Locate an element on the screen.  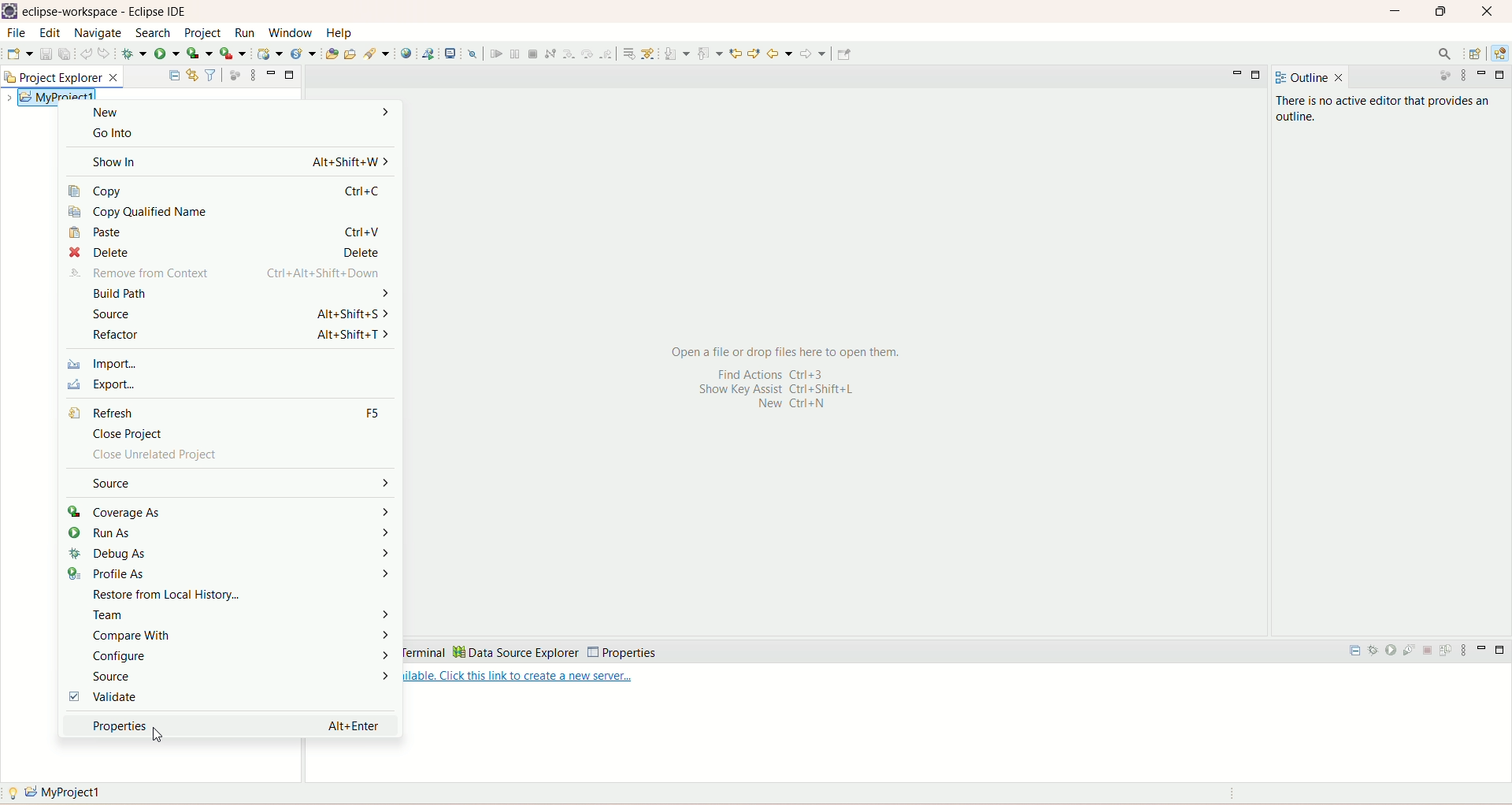
start the server in debug mode is located at coordinates (1374, 652).